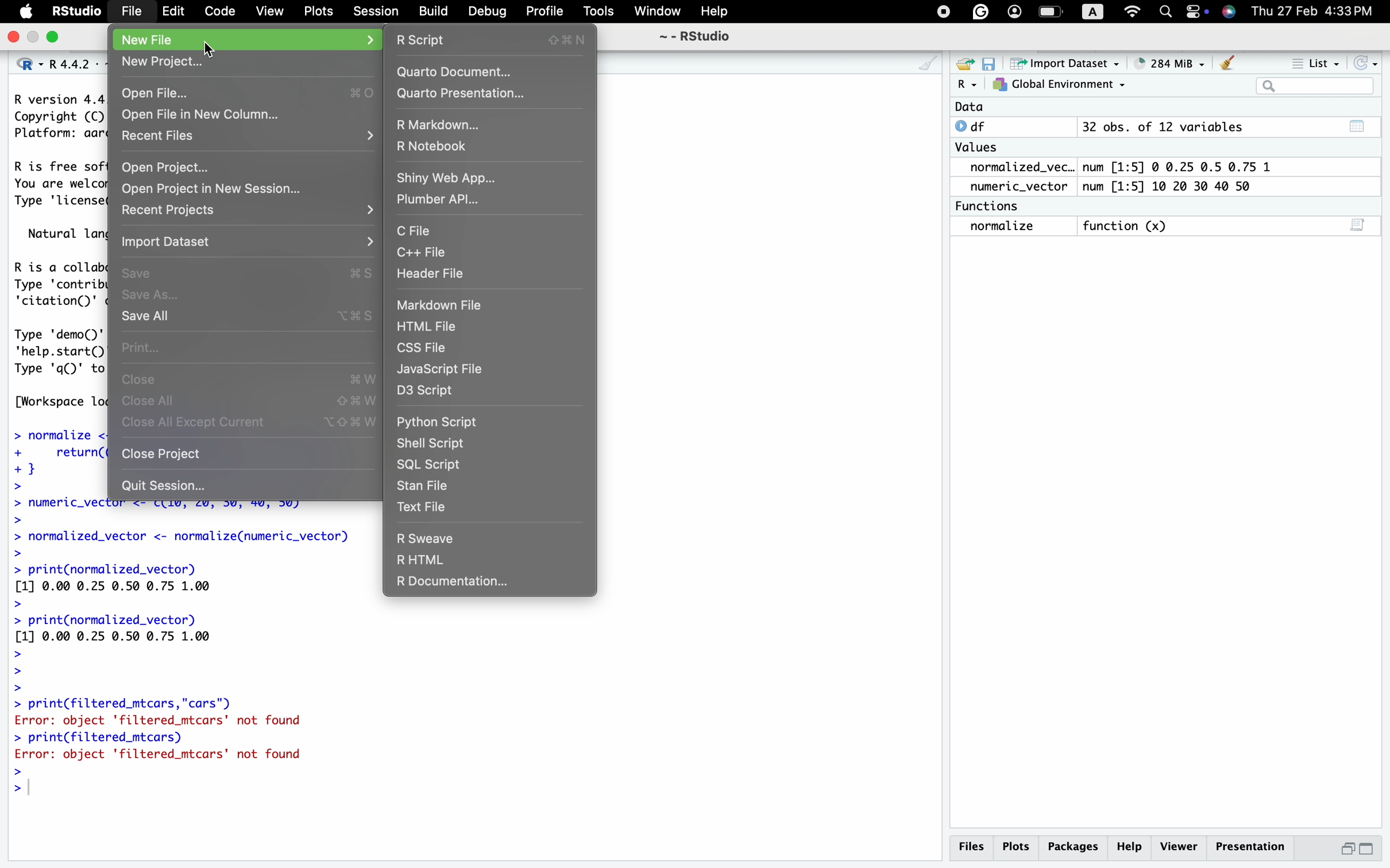 This screenshot has height=868, width=1390. What do you see at coordinates (427, 537) in the screenshot?
I see `R Sweave` at bounding box center [427, 537].